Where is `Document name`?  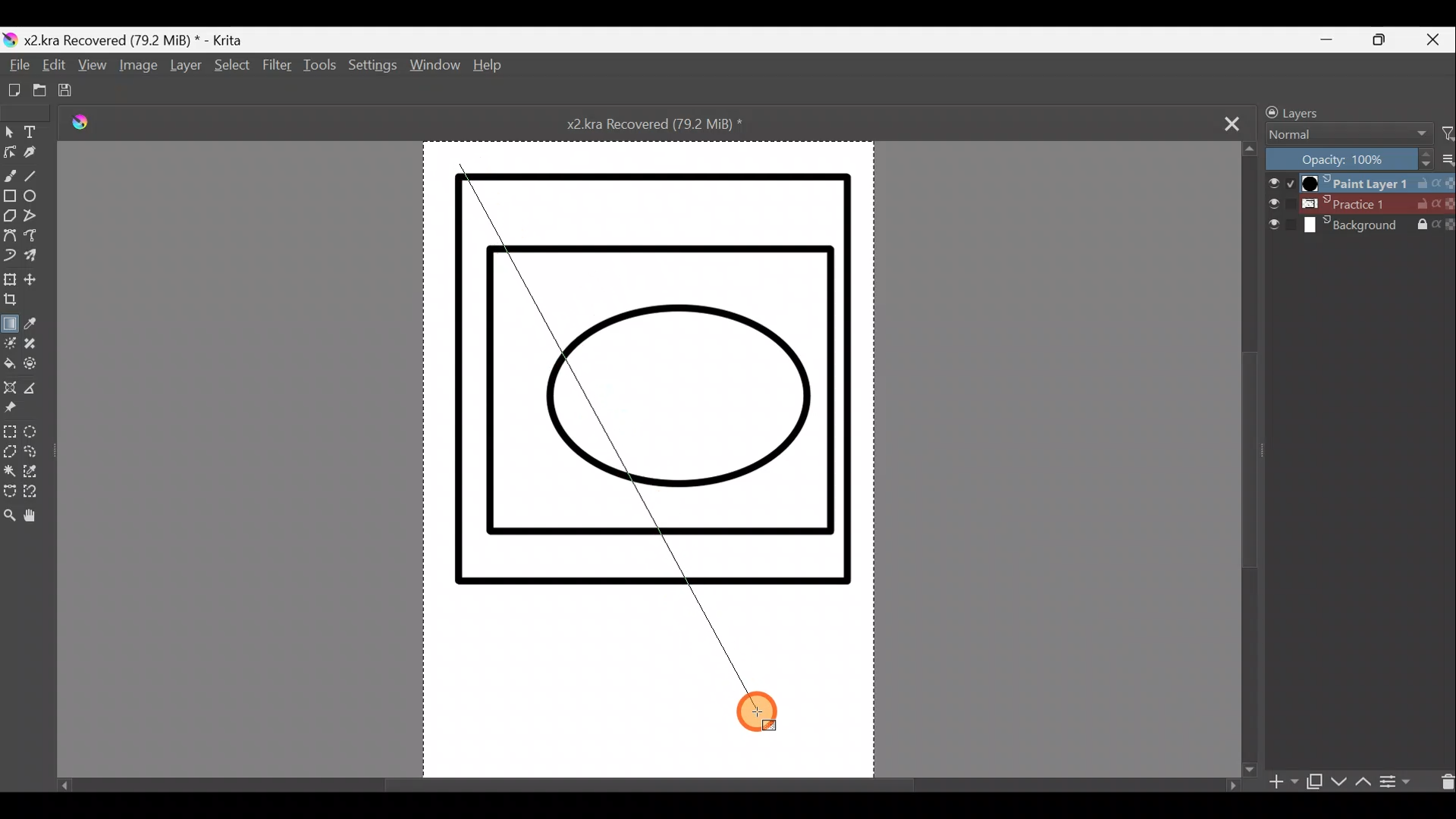 Document name is located at coordinates (132, 39).